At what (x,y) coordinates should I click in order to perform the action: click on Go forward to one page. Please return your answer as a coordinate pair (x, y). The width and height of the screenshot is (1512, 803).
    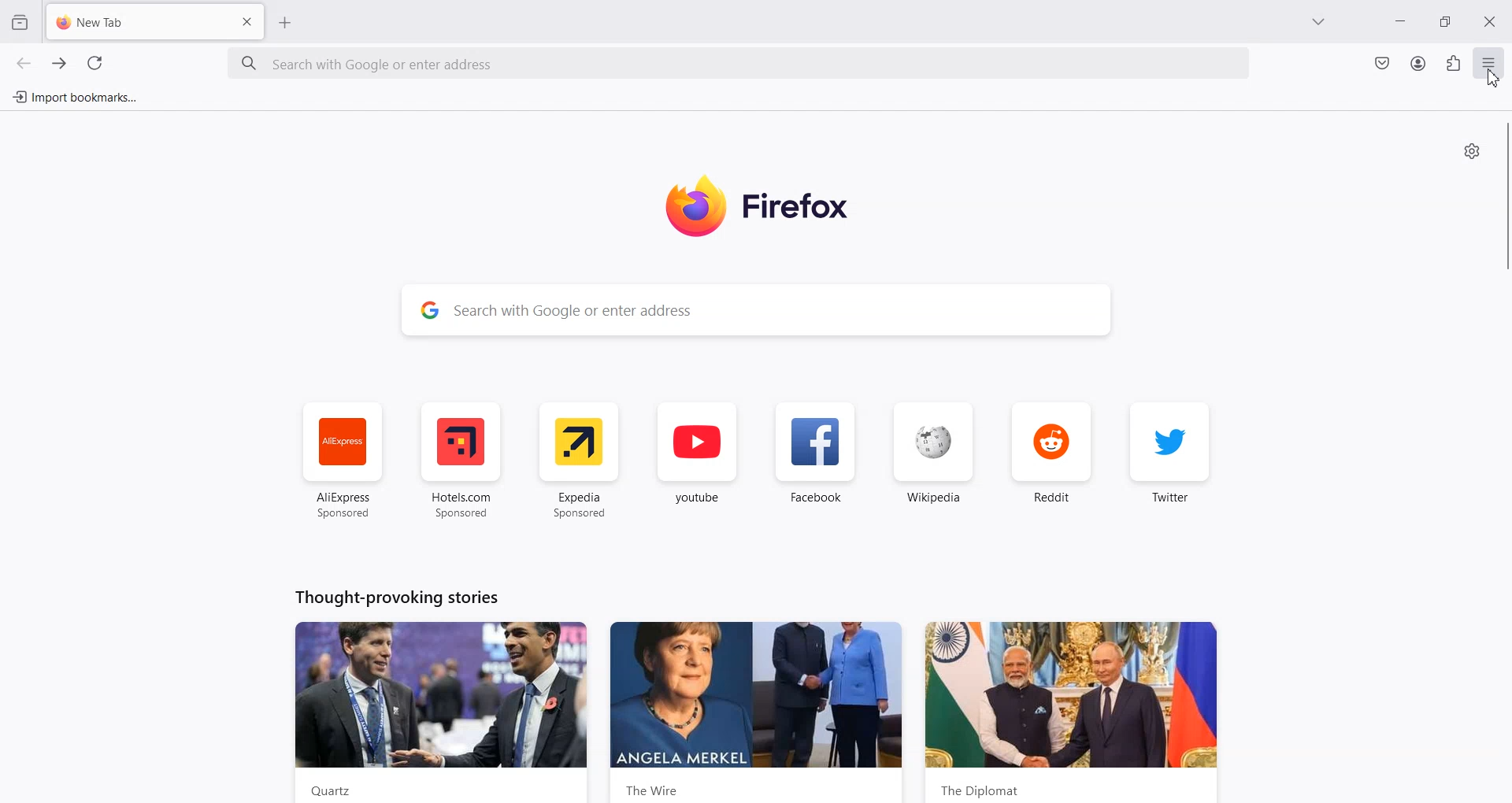
    Looking at the image, I should click on (58, 62).